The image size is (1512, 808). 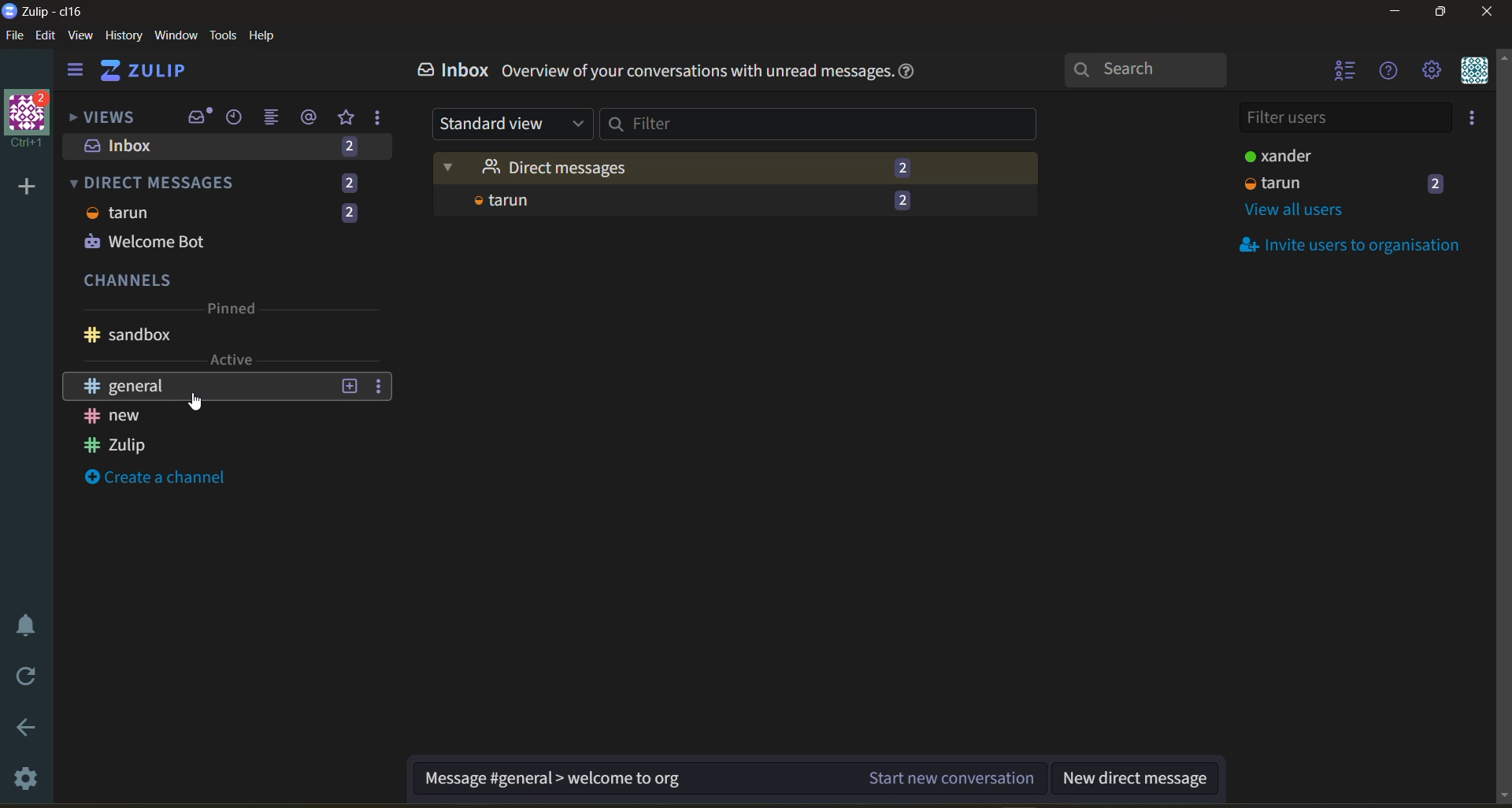 What do you see at coordinates (384, 121) in the screenshot?
I see `reactions and drafts` at bounding box center [384, 121].